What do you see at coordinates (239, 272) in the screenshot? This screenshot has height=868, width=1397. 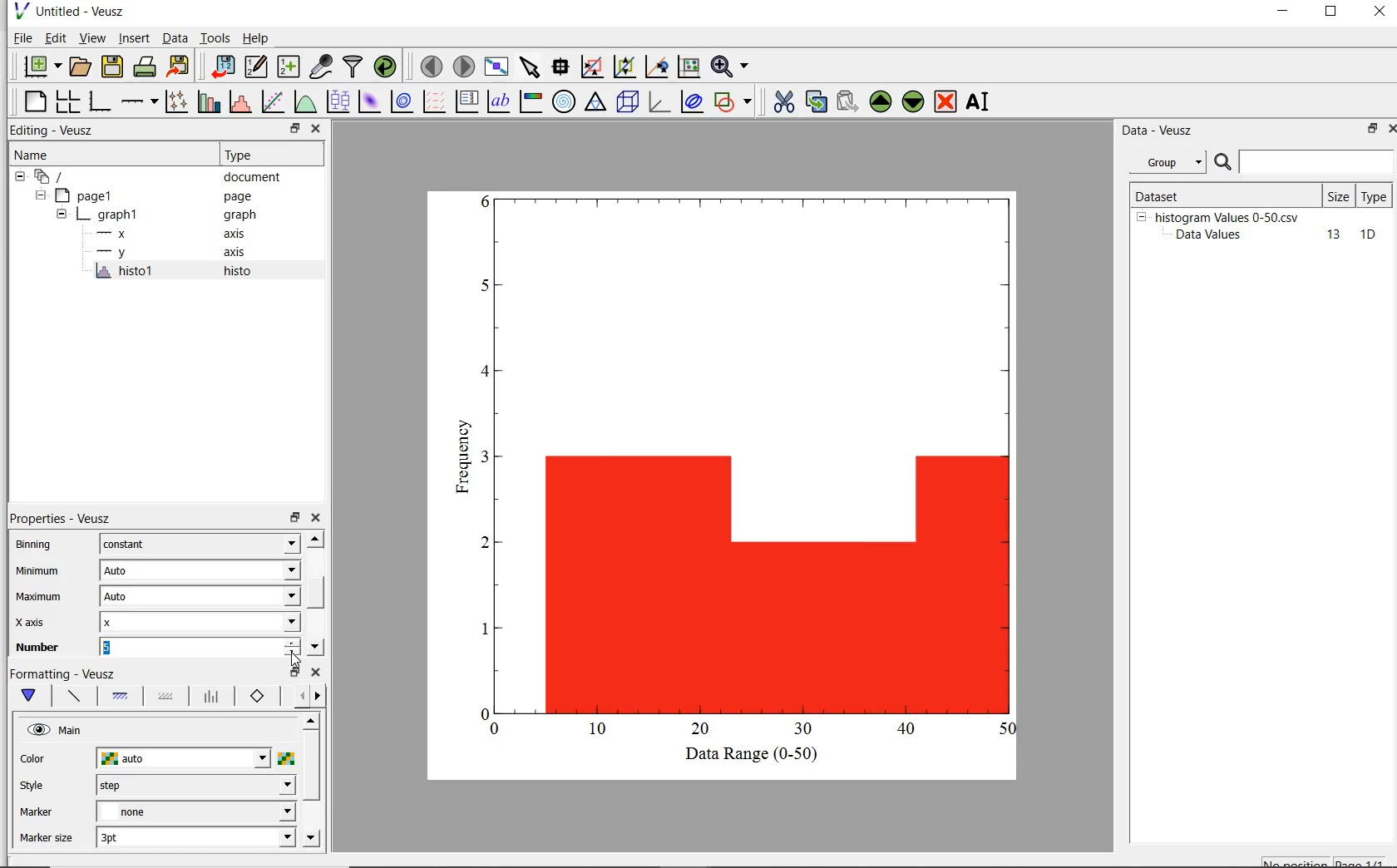 I see `histo` at bounding box center [239, 272].